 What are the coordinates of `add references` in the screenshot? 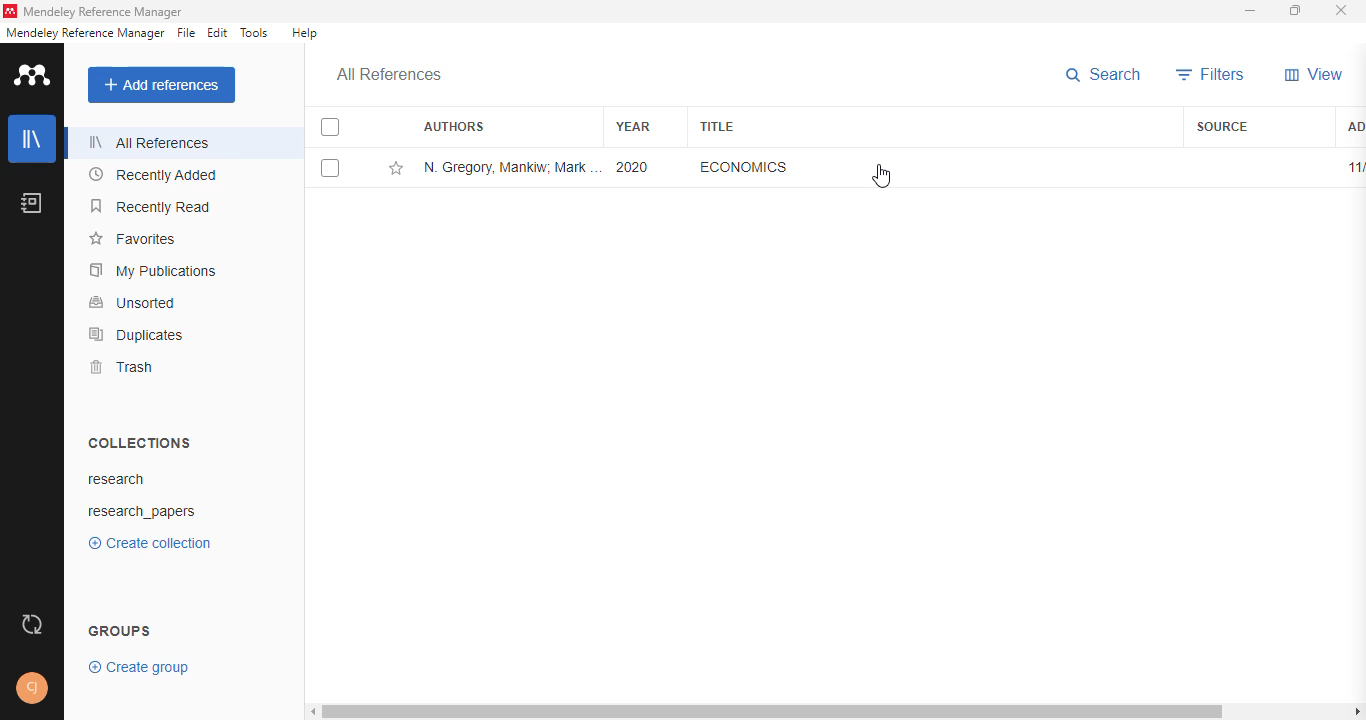 It's located at (162, 84).